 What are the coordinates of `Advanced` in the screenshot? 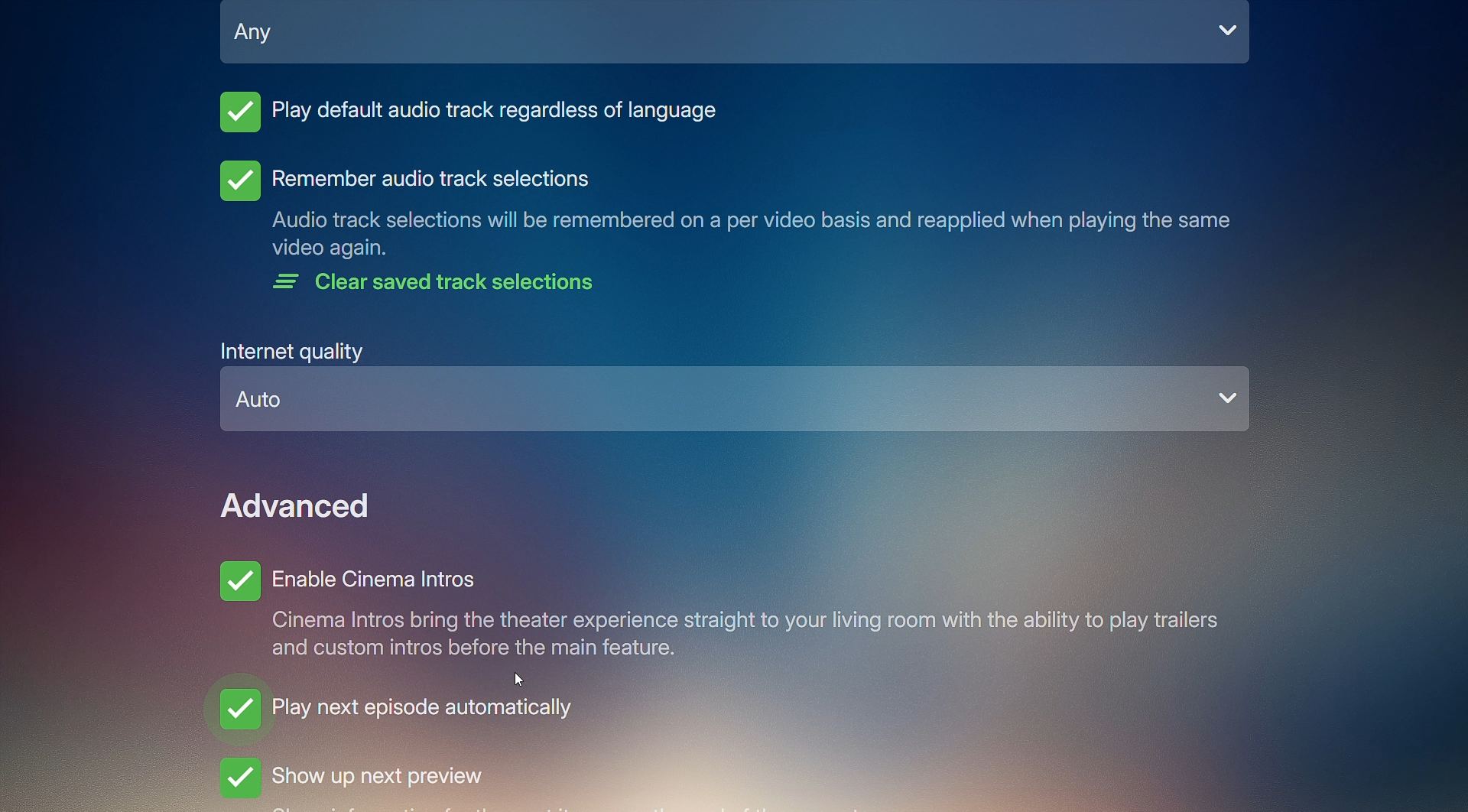 It's located at (299, 505).